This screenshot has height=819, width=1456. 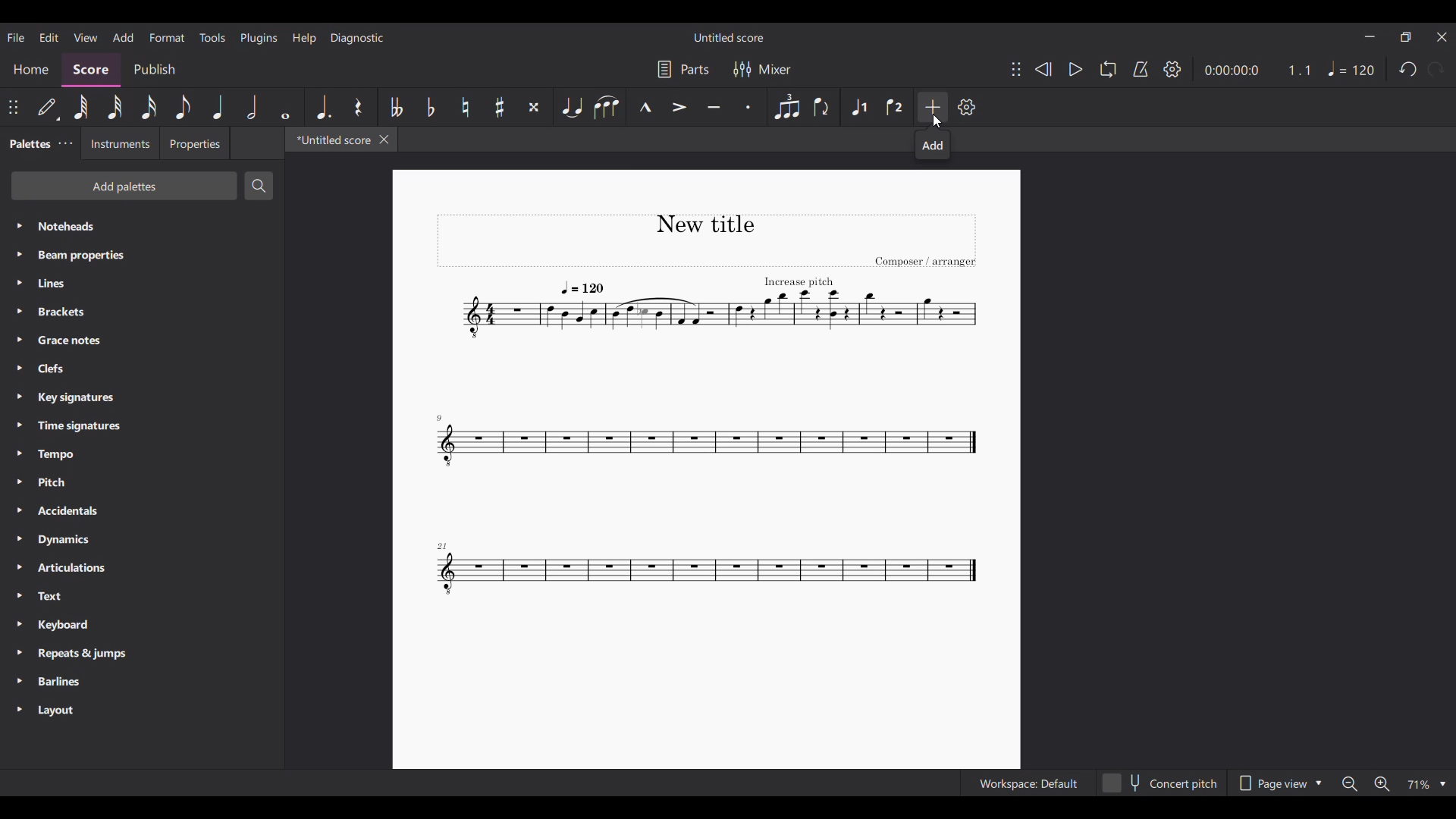 I want to click on Toggle natural, so click(x=465, y=107).